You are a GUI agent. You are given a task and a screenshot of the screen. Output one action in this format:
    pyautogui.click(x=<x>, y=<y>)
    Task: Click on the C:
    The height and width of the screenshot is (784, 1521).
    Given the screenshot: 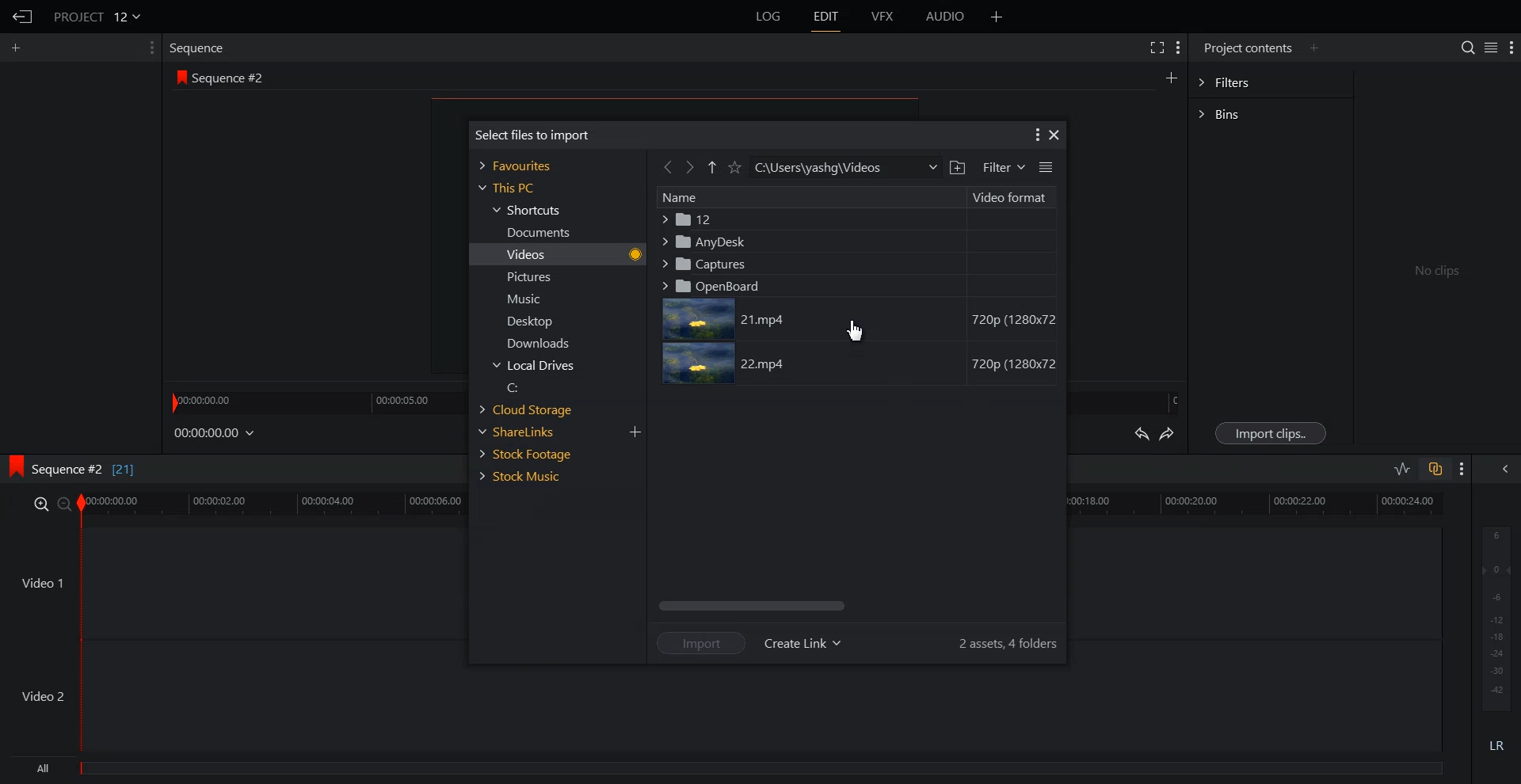 What is the action you would take?
    pyautogui.click(x=536, y=387)
    